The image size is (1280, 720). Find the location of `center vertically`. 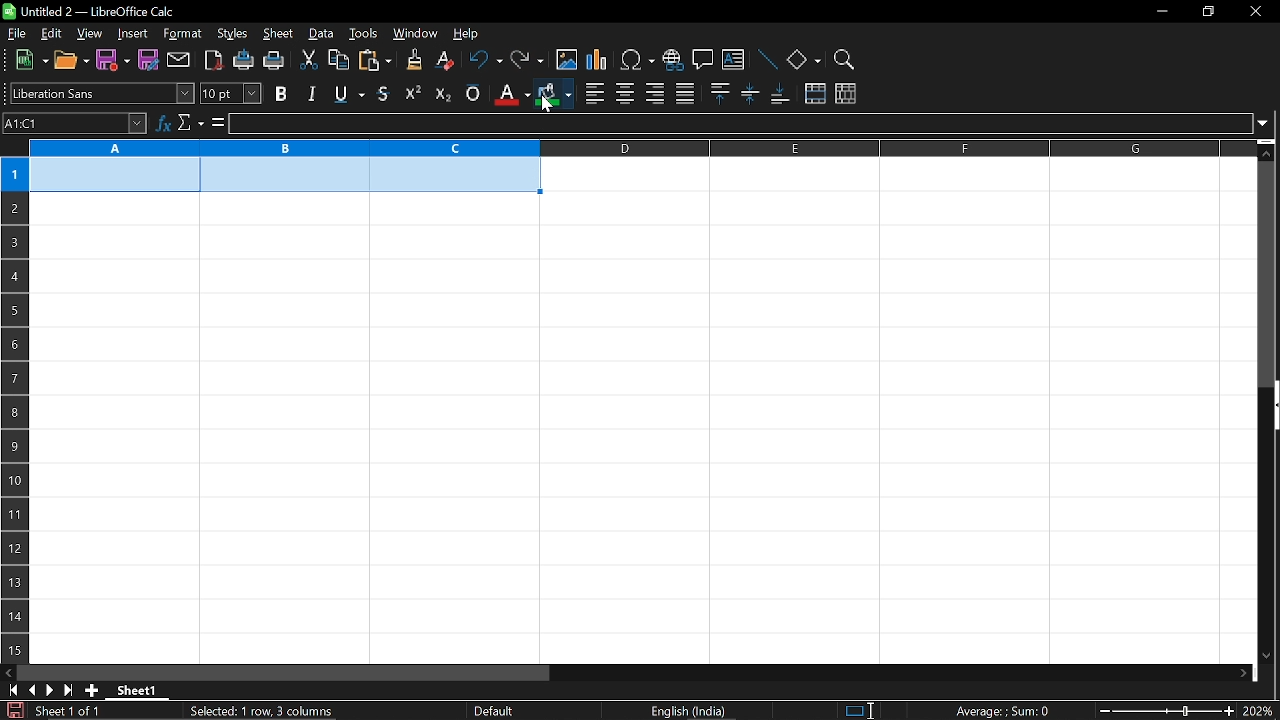

center vertically is located at coordinates (750, 95).